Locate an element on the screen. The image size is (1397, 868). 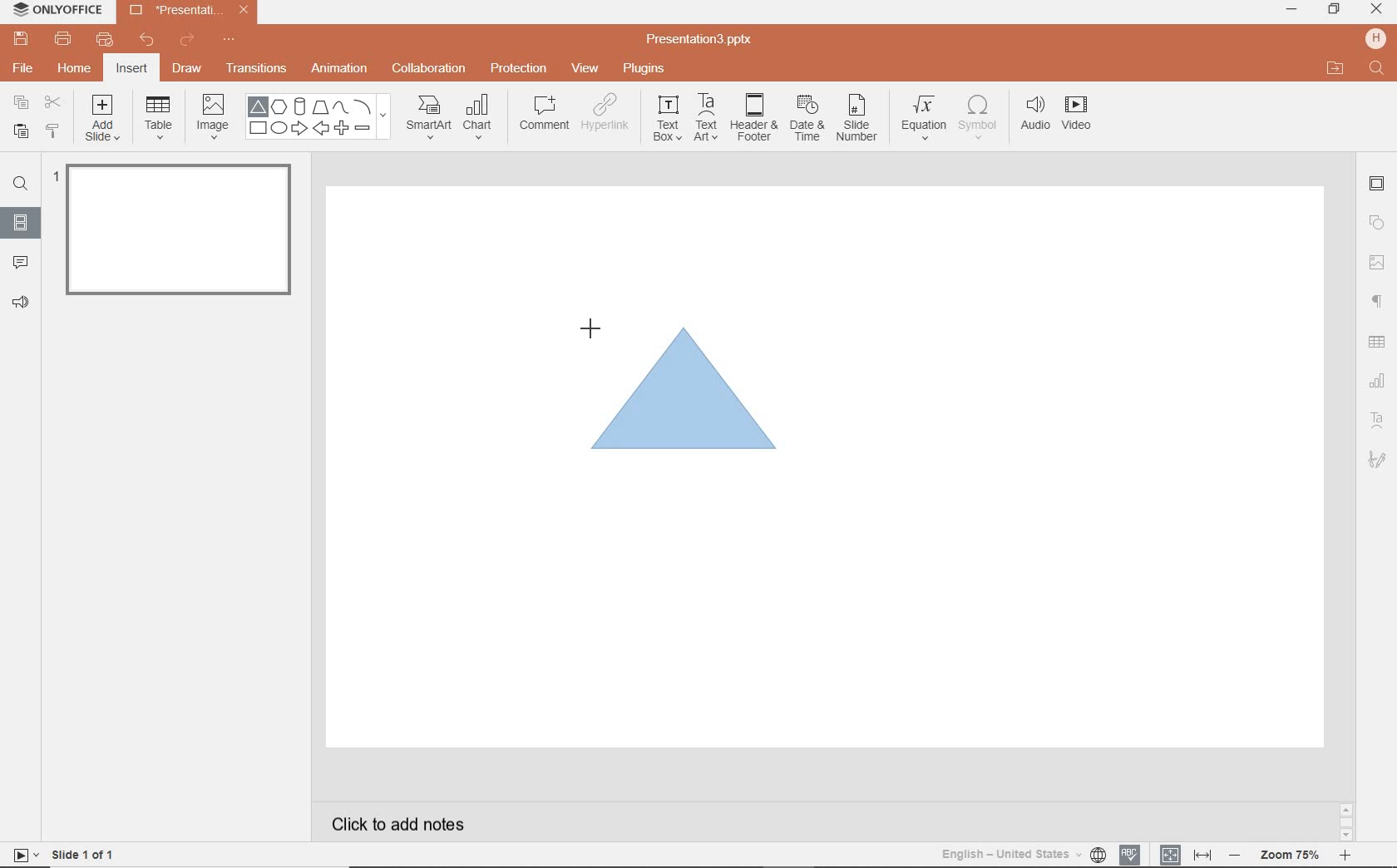
CUT is located at coordinates (54, 101).